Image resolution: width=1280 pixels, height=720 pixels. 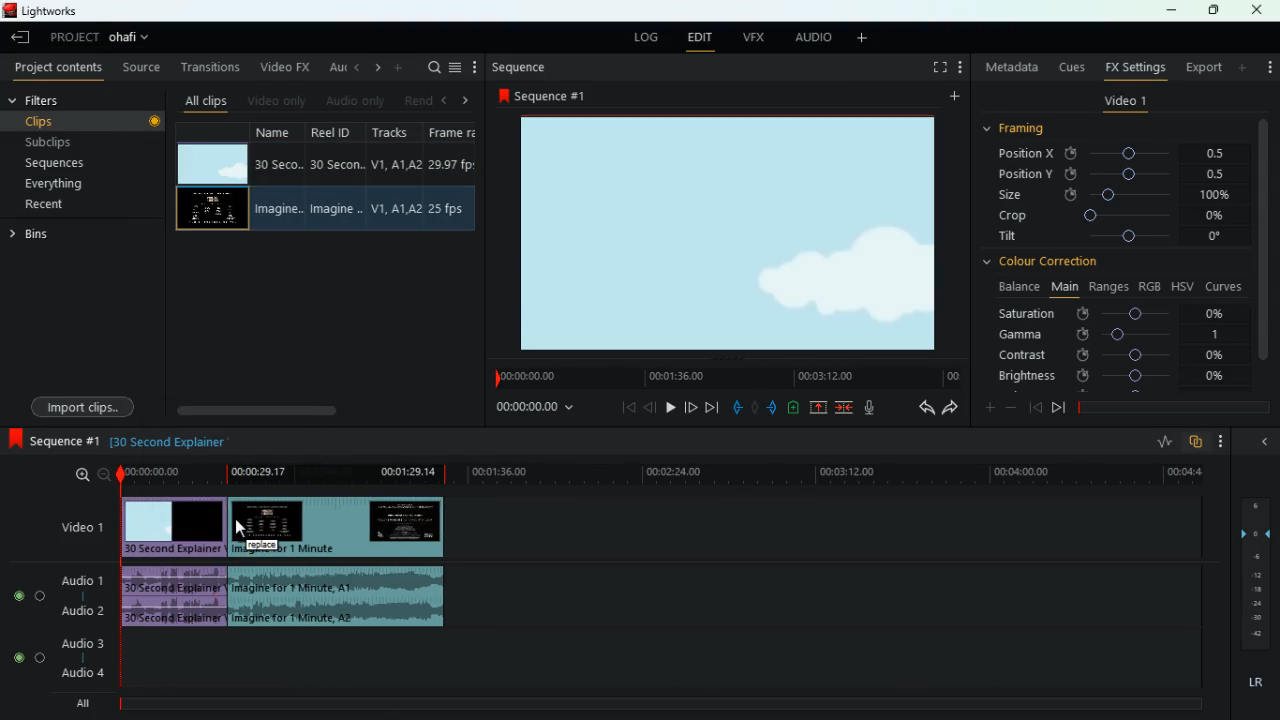 I want to click on up, so click(x=819, y=409).